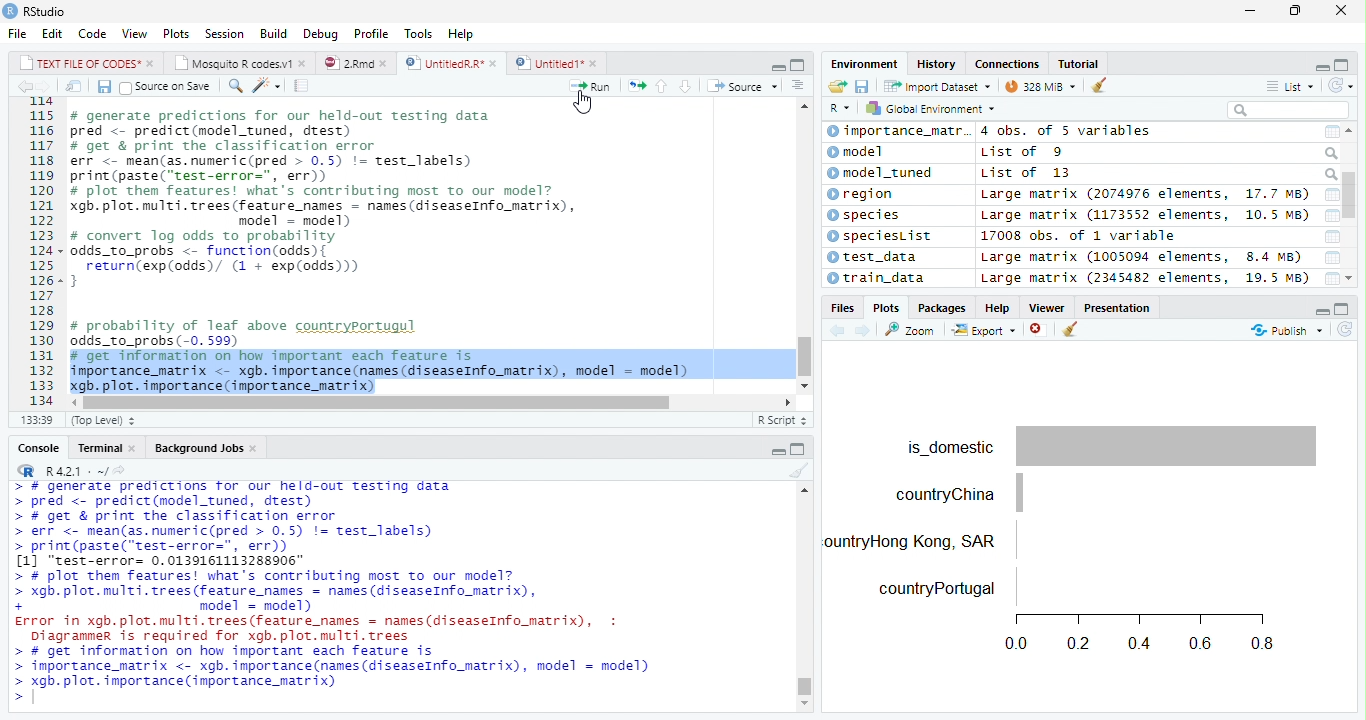 The image size is (1366, 720). I want to click on Source on Save, so click(164, 87).